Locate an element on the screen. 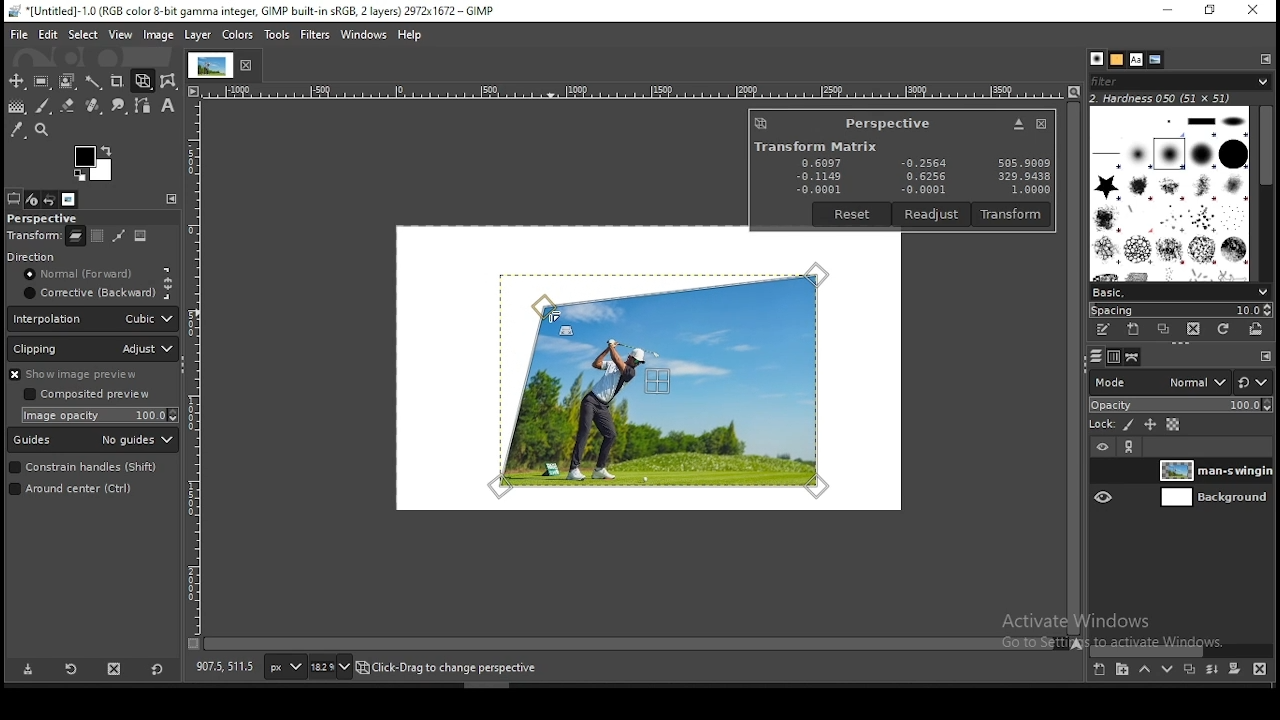 The image size is (1280, 720). man-swinging-golf-course.jpg (82.5) is located at coordinates (457, 670).